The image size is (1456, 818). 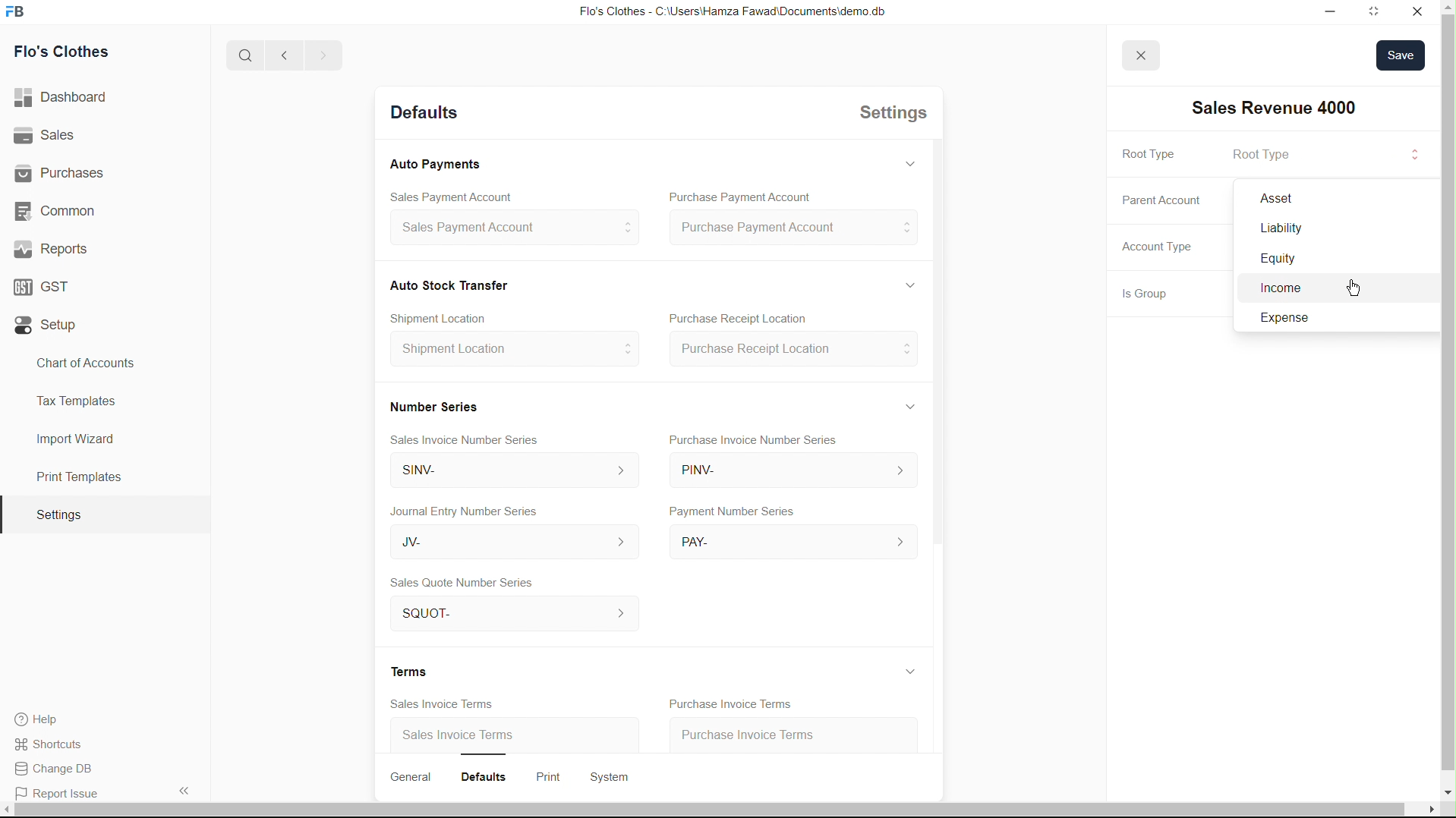 I want to click on ' Reports, so click(x=54, y=248).